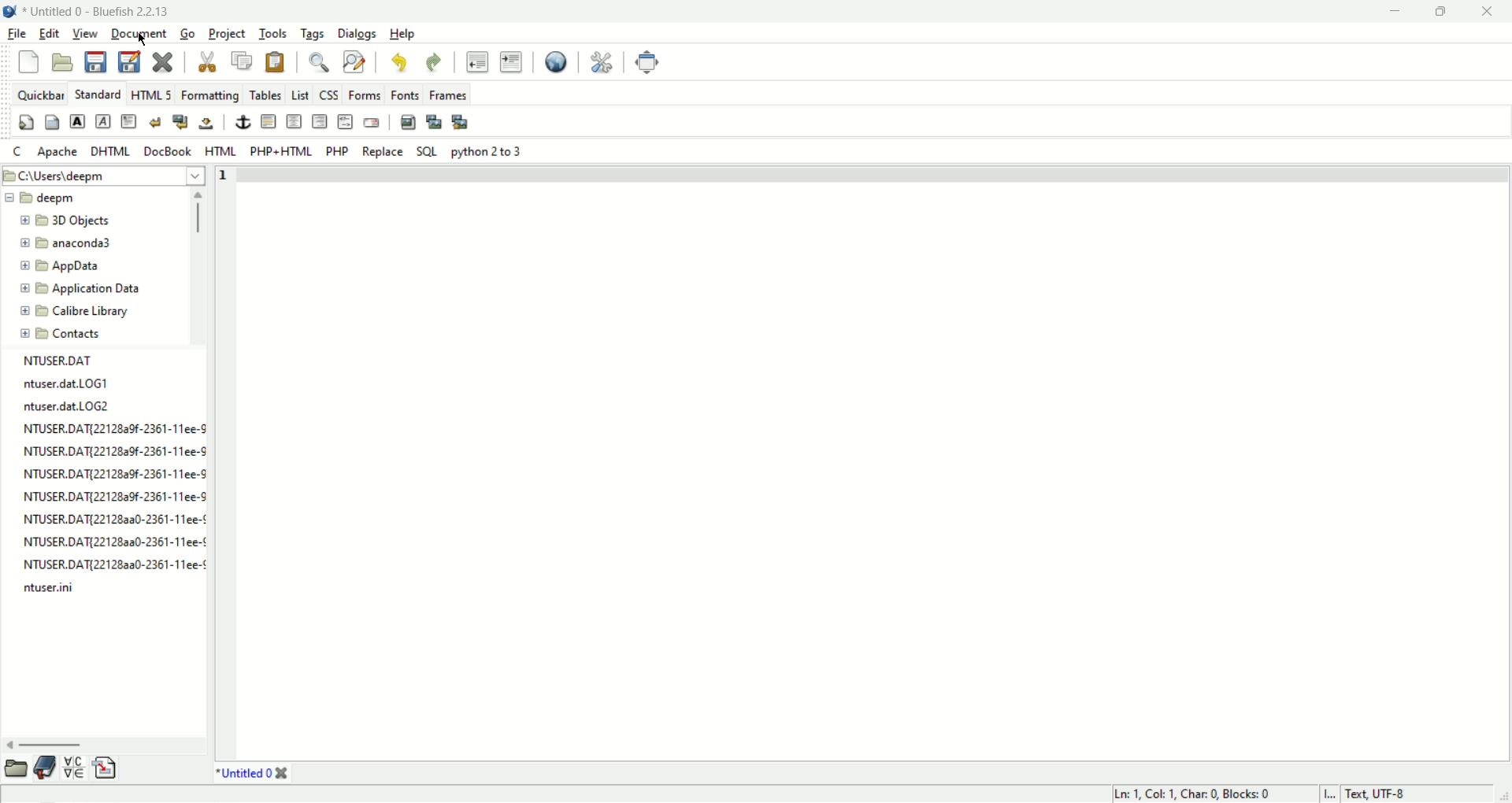  What do you see at coordinates (151, 95) in the screenshot?
I see `HTML5` at bounding box center [151, 95].